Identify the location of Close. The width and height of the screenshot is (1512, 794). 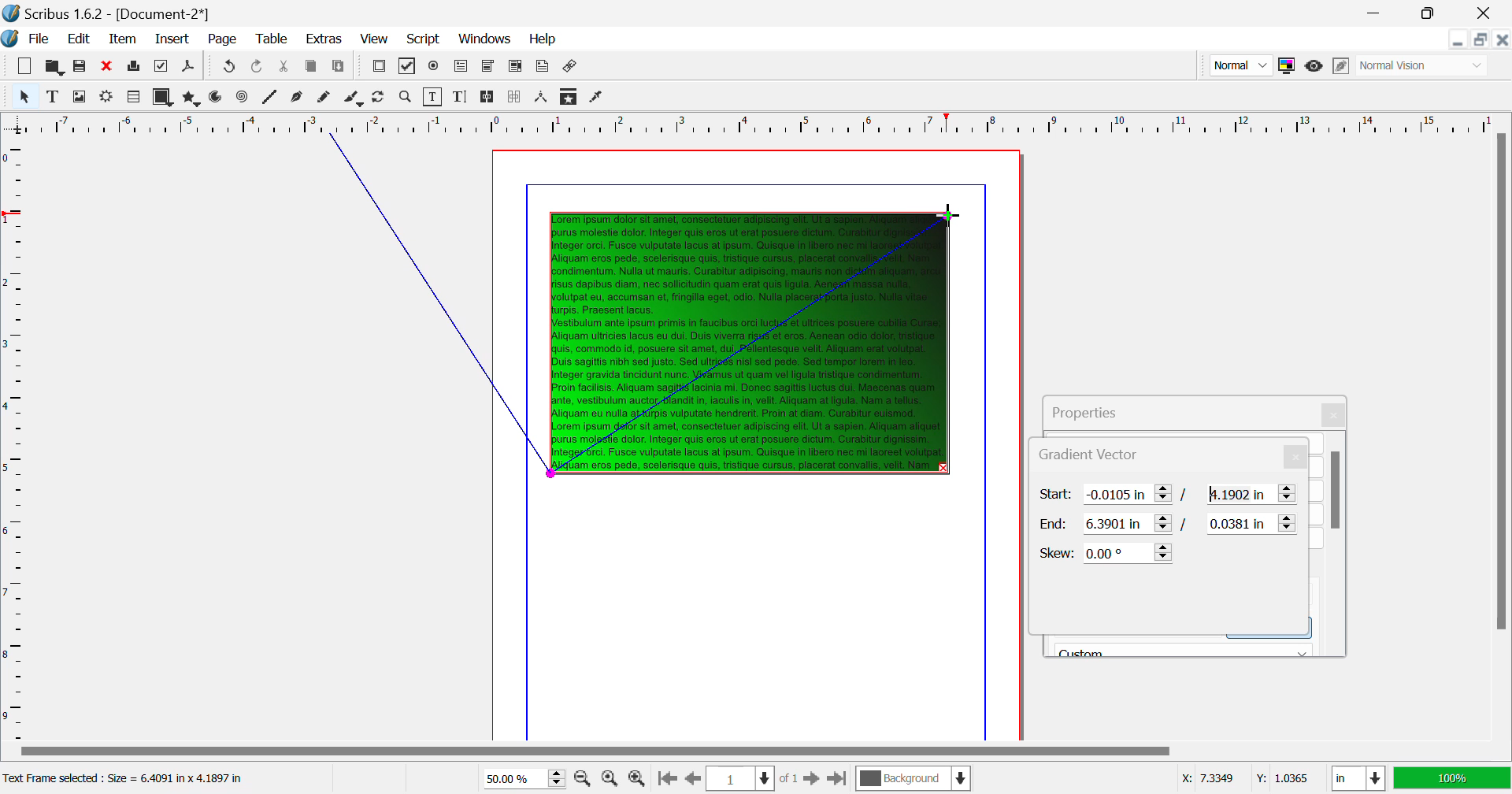
(1488, 13).